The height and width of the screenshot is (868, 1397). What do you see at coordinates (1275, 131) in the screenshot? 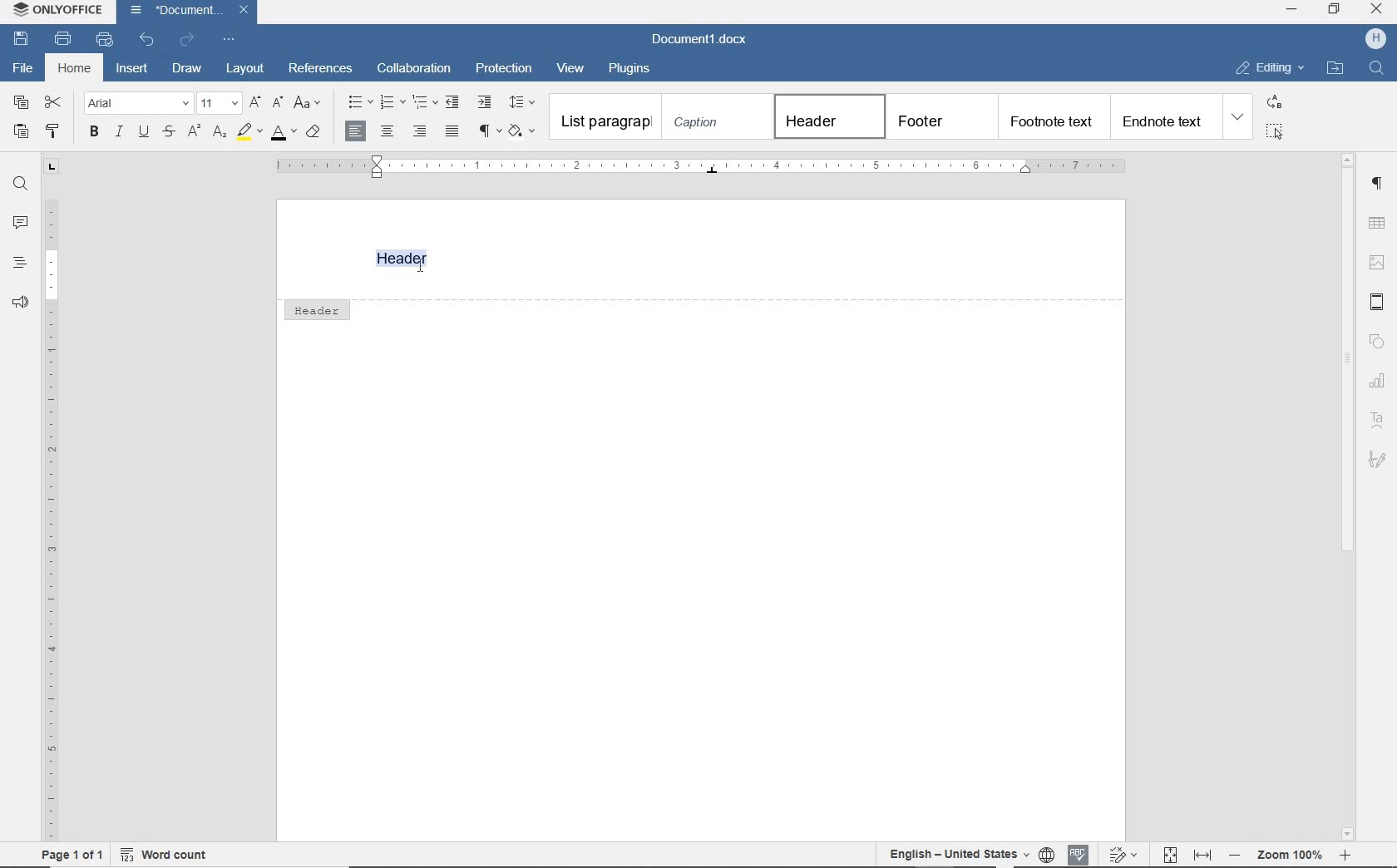
I see `SELECT ALL` at bounding box center [1275, 131].